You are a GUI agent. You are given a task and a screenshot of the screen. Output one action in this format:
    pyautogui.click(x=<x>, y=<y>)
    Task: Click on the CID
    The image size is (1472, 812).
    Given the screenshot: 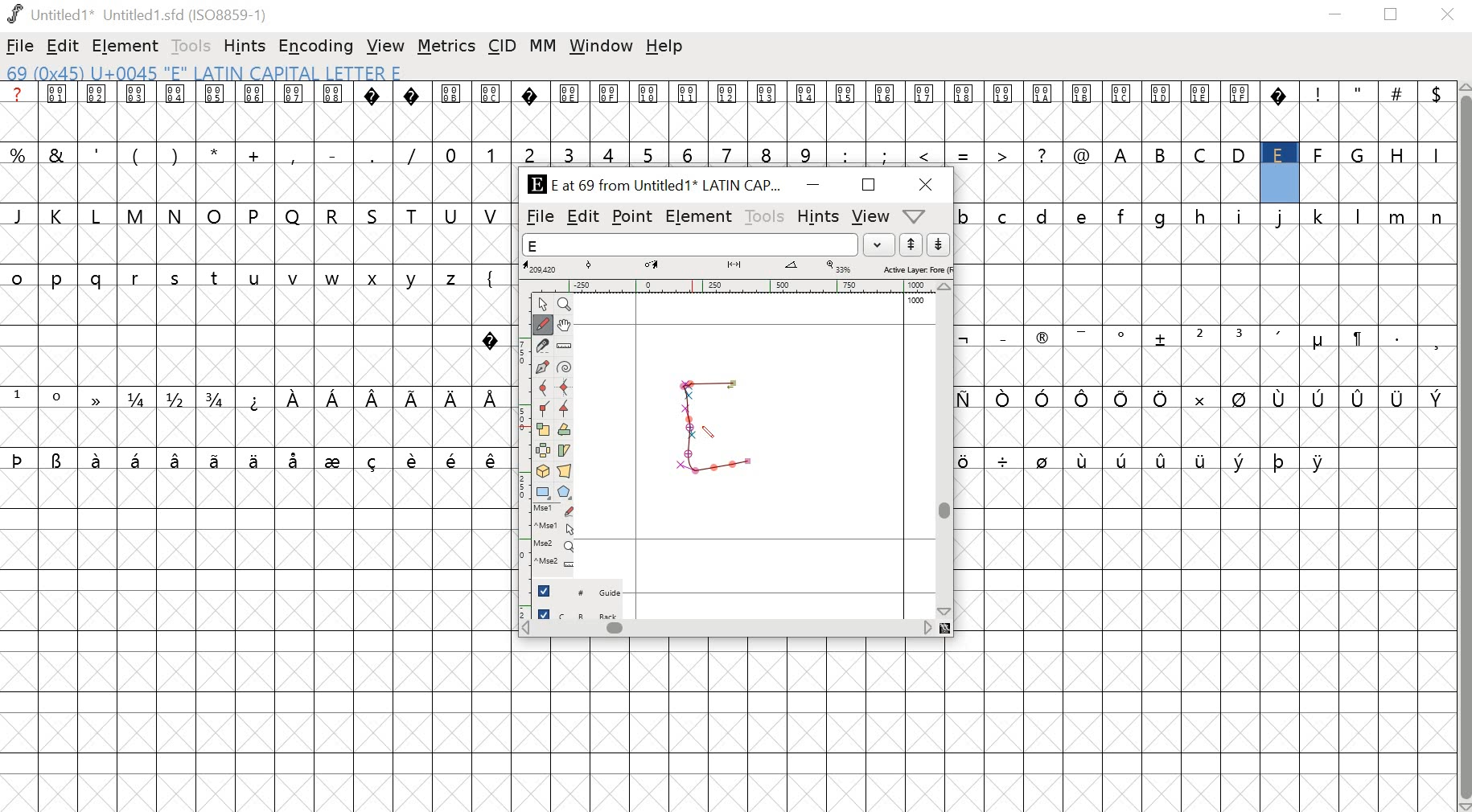 What is the action you would take?
    pyautogui.click(x=502, y=47)
    